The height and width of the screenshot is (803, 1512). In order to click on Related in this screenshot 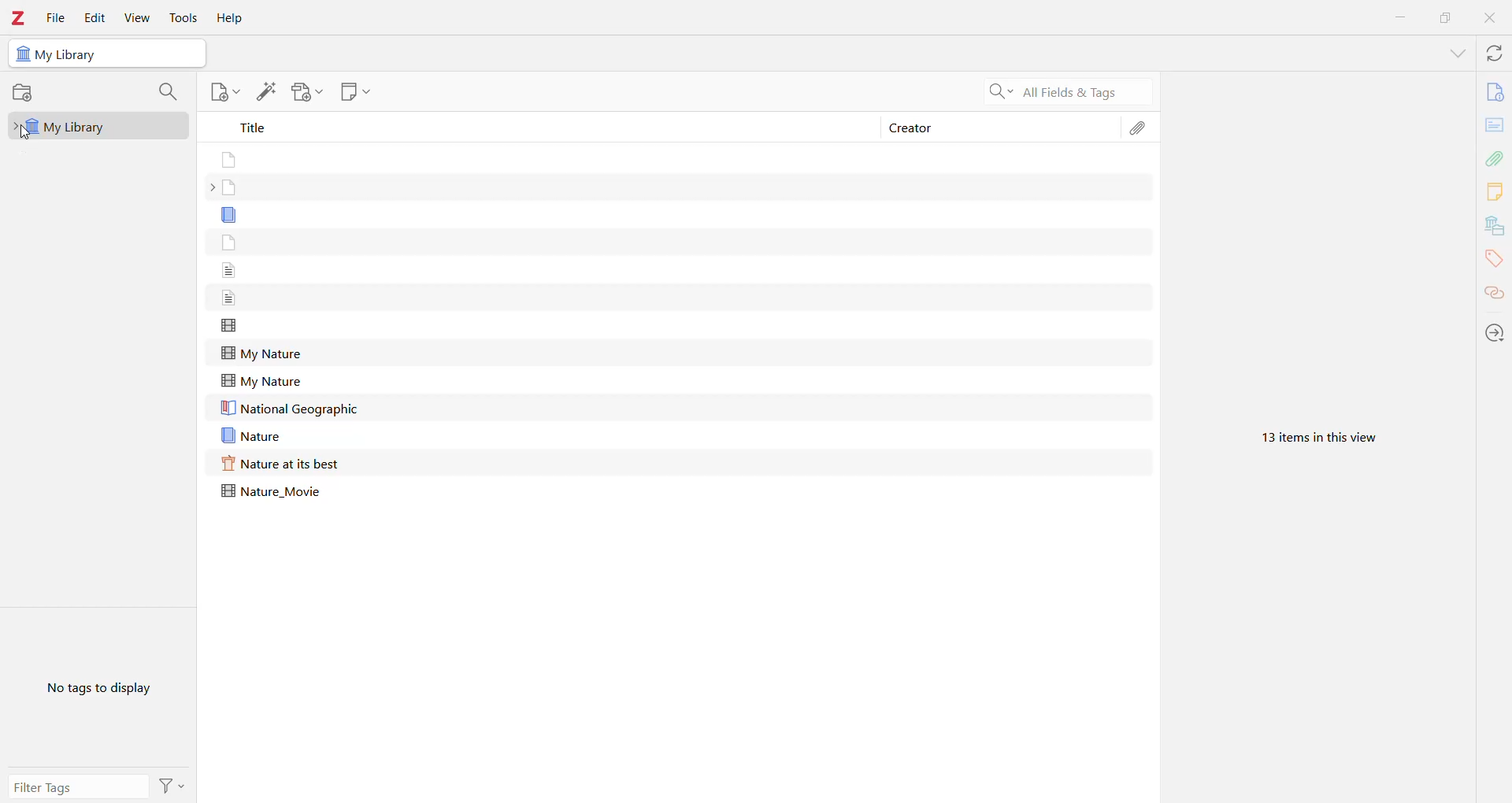, I will do `click(1495, 294)`.